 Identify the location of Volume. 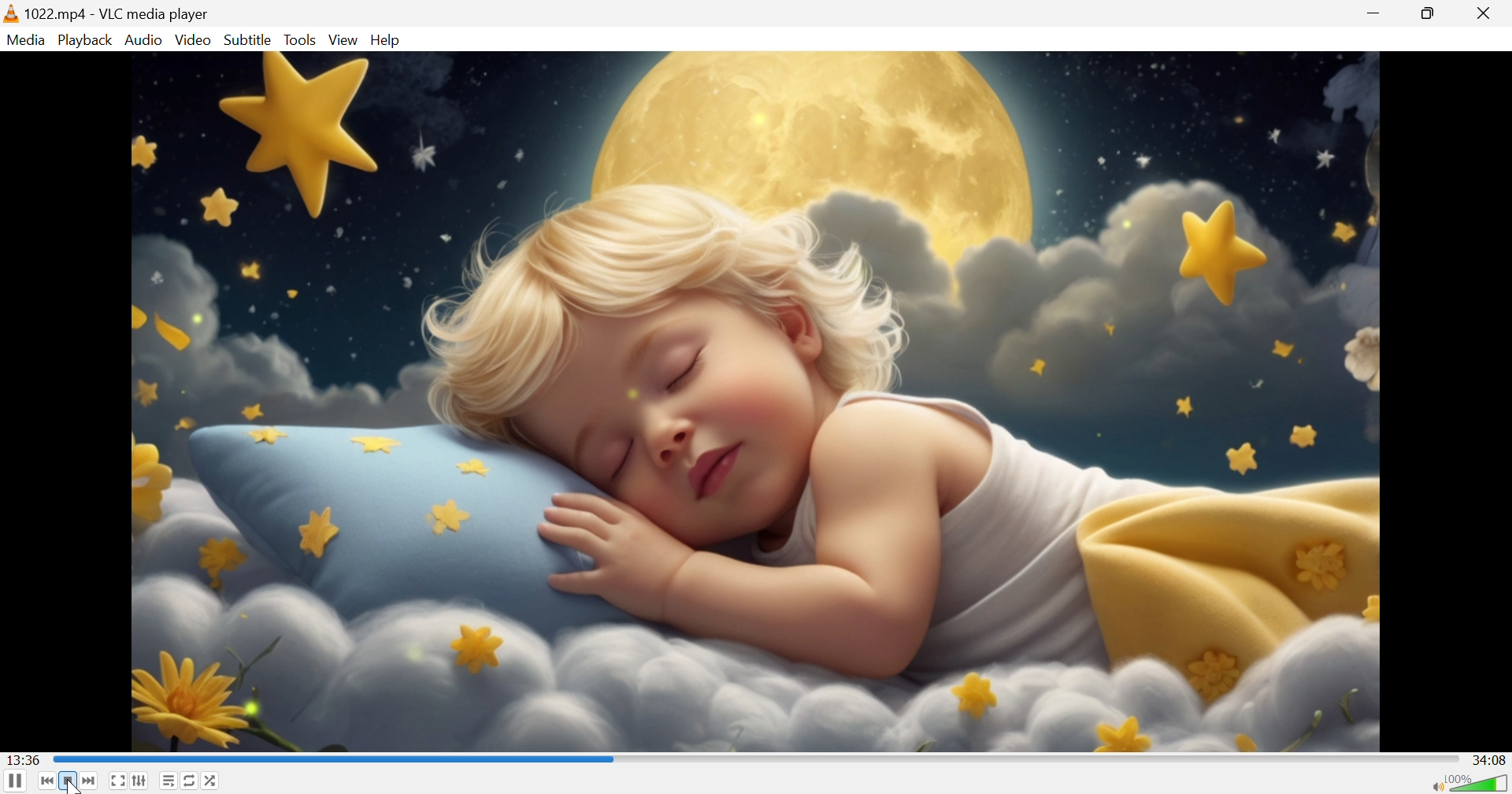
(1477, 781).